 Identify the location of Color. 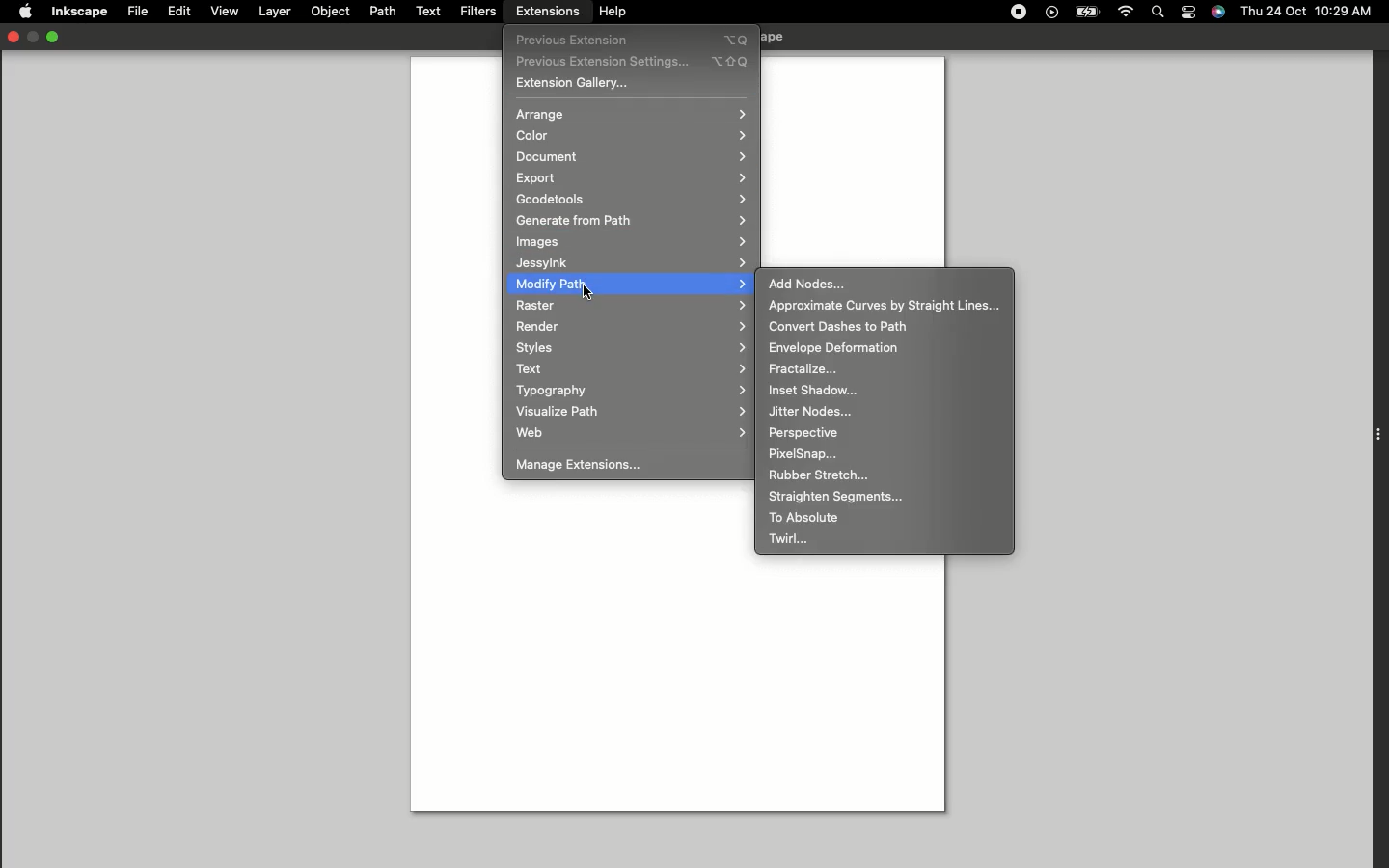
(633, 134).